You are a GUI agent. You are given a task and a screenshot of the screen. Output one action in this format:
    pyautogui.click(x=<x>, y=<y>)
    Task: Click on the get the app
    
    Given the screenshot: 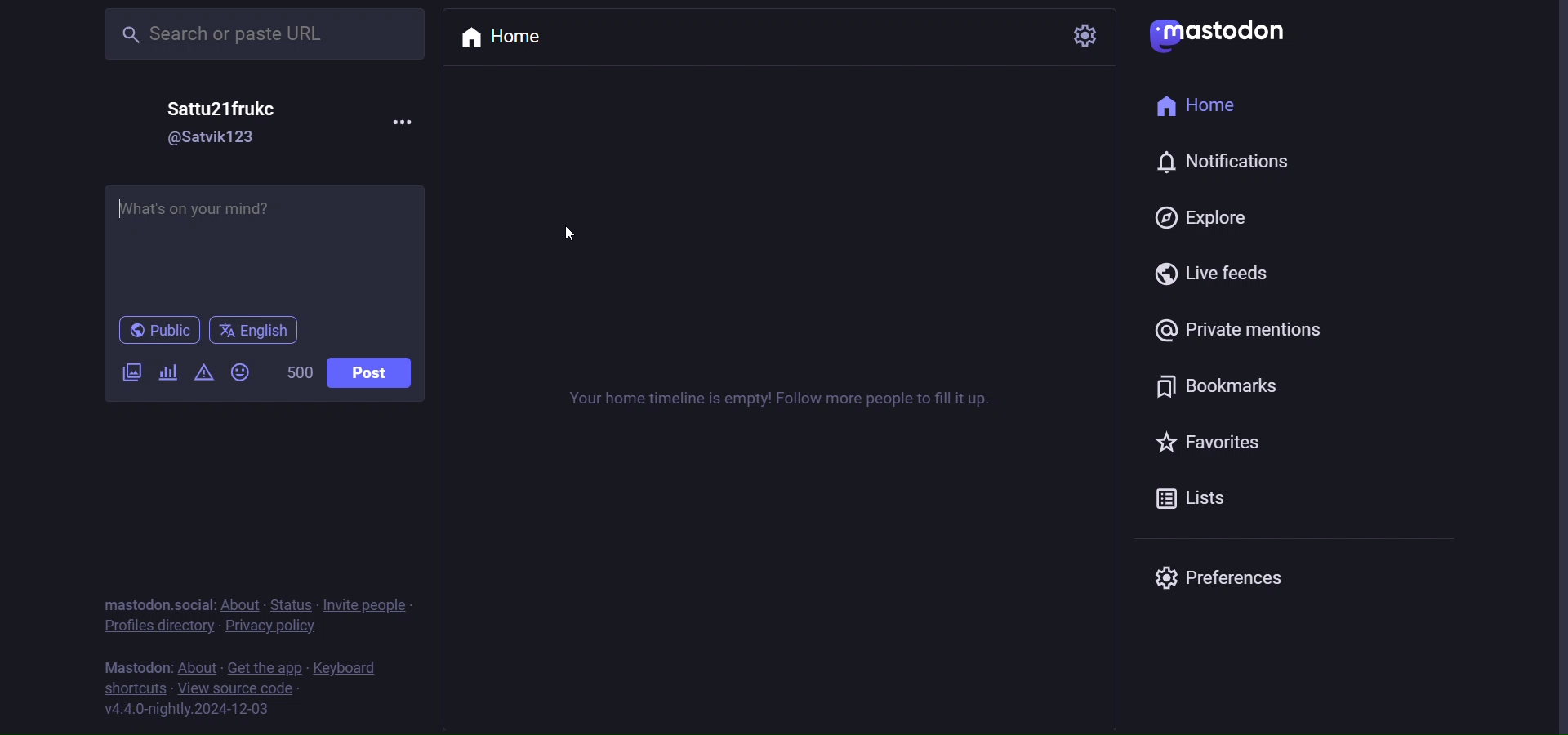 What is the action you would take?
    pyautogui.click(x=263, y=666)
    